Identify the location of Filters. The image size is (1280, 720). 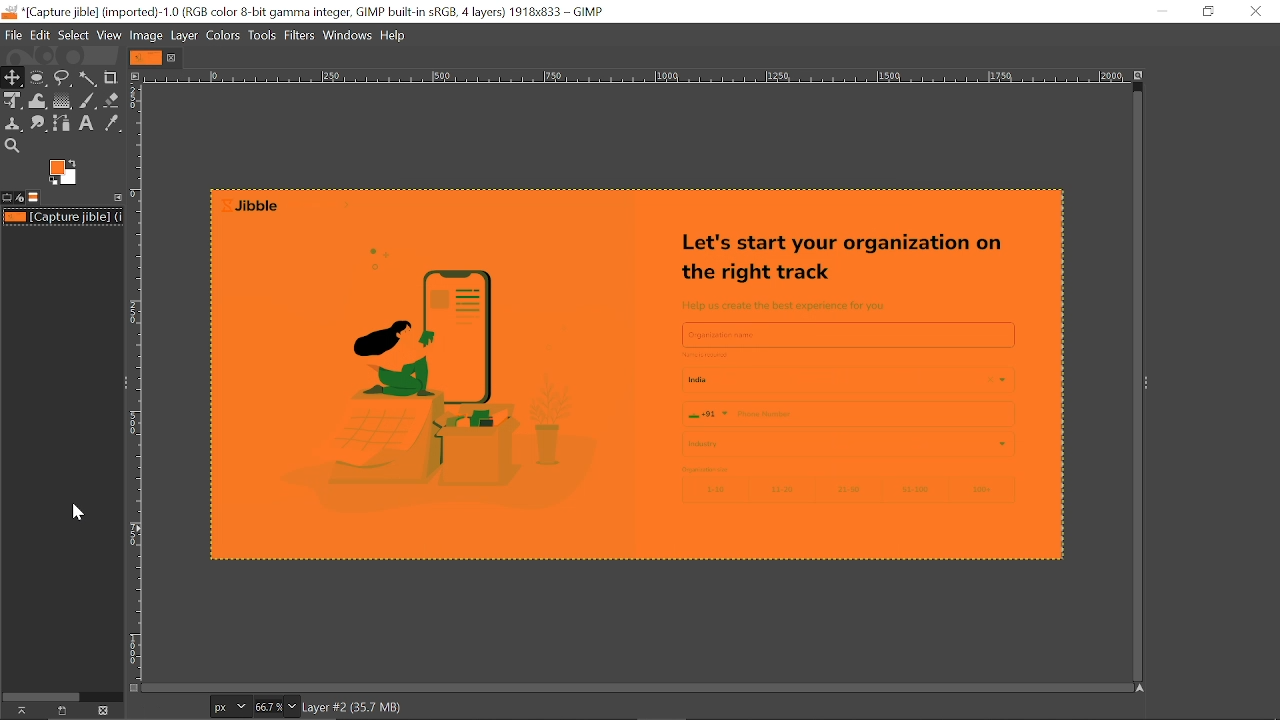
(301, 35).